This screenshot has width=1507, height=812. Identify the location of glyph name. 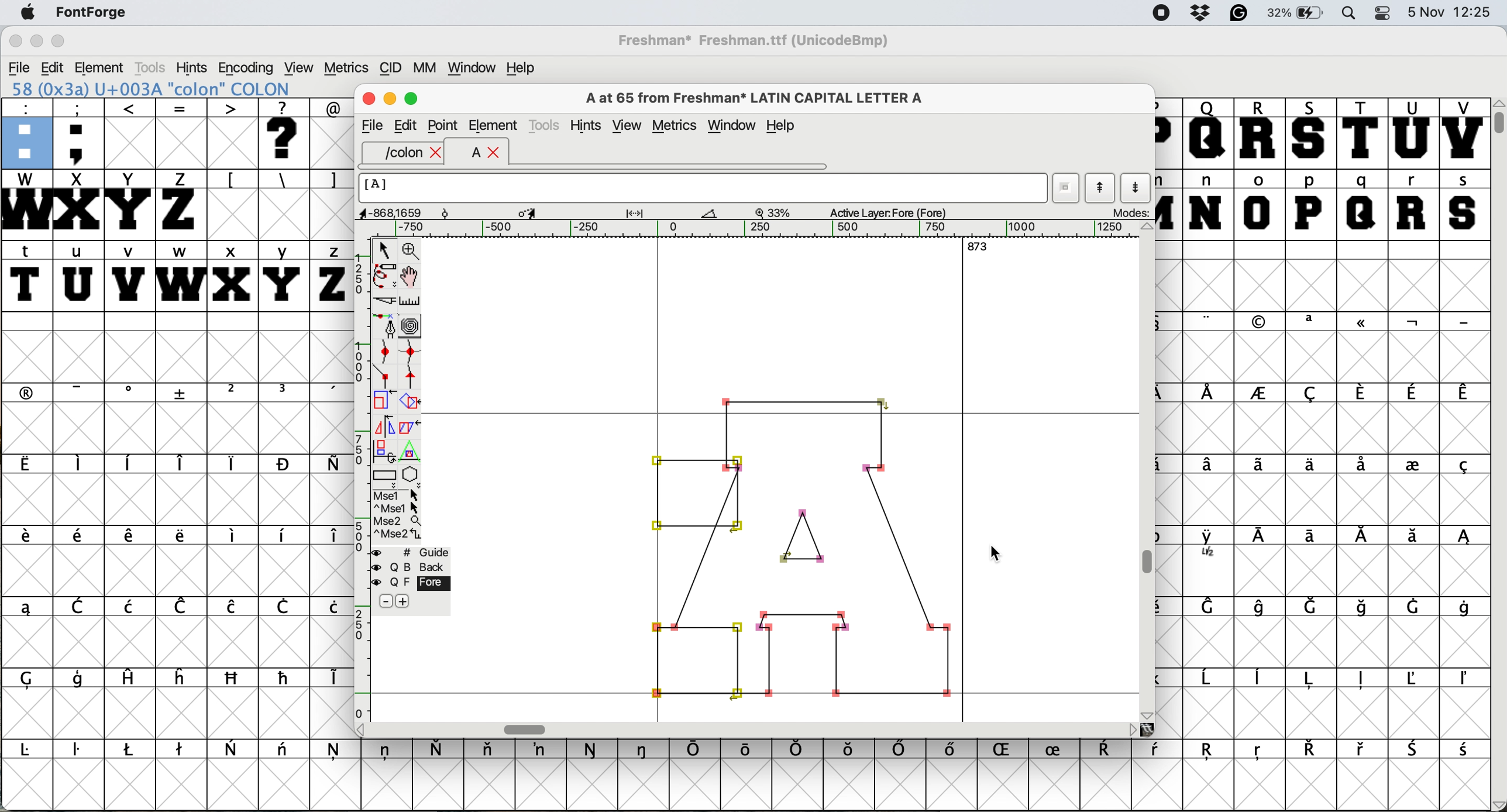
(705, 188).